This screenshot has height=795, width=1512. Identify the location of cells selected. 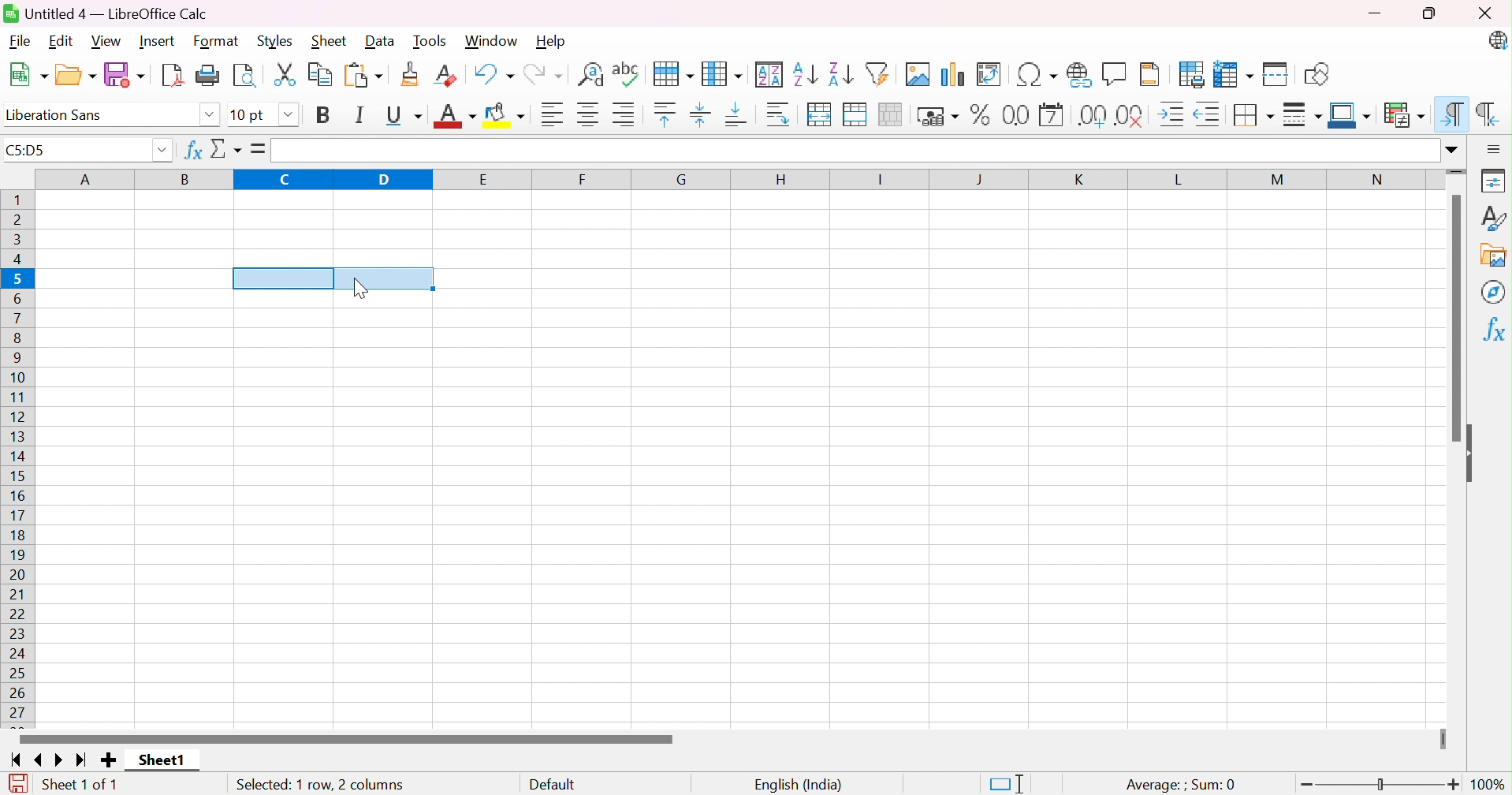
(333, 277).